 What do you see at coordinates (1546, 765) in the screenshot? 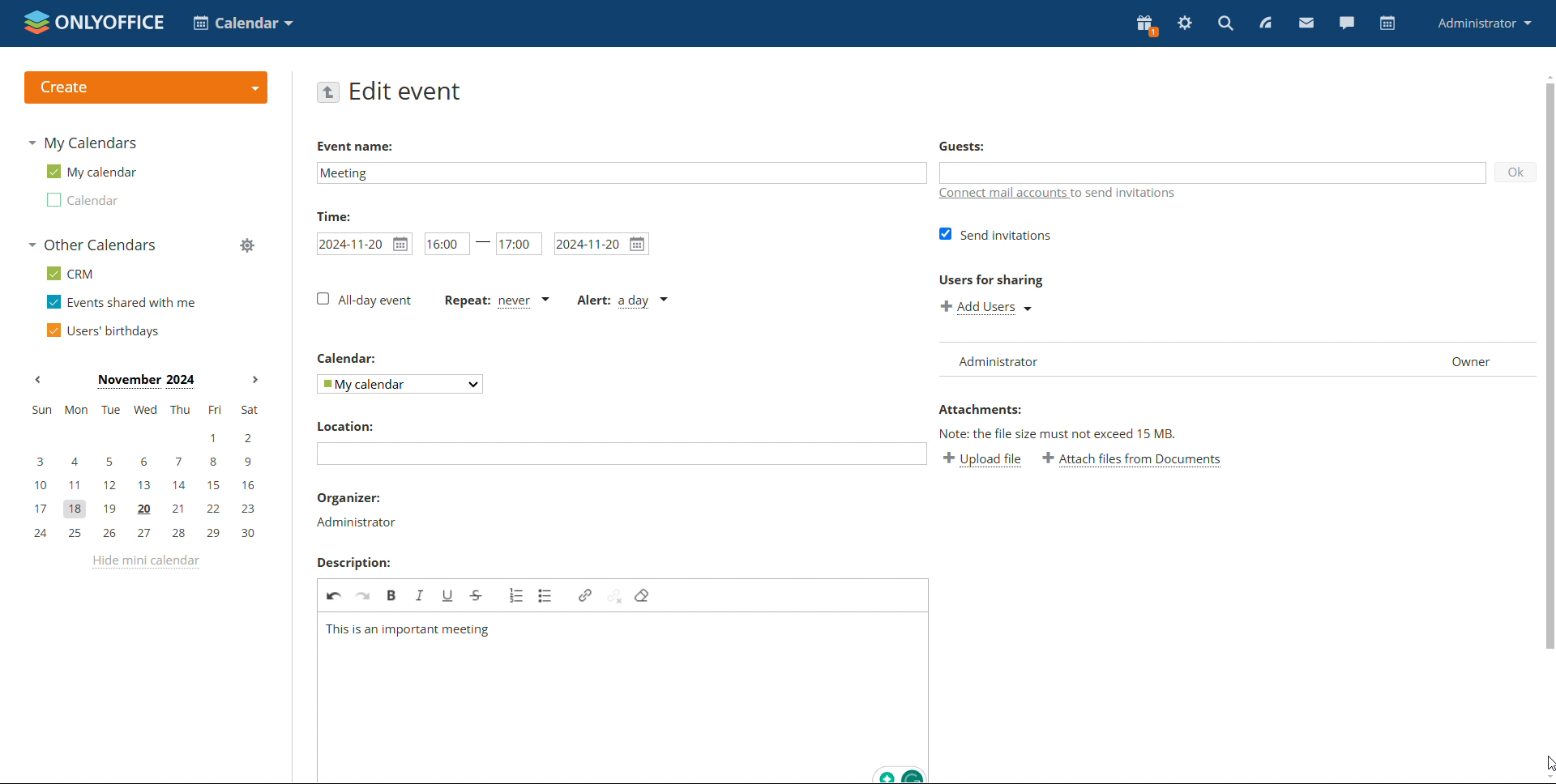
I see `cursor` at bounding box center [1546, 765].